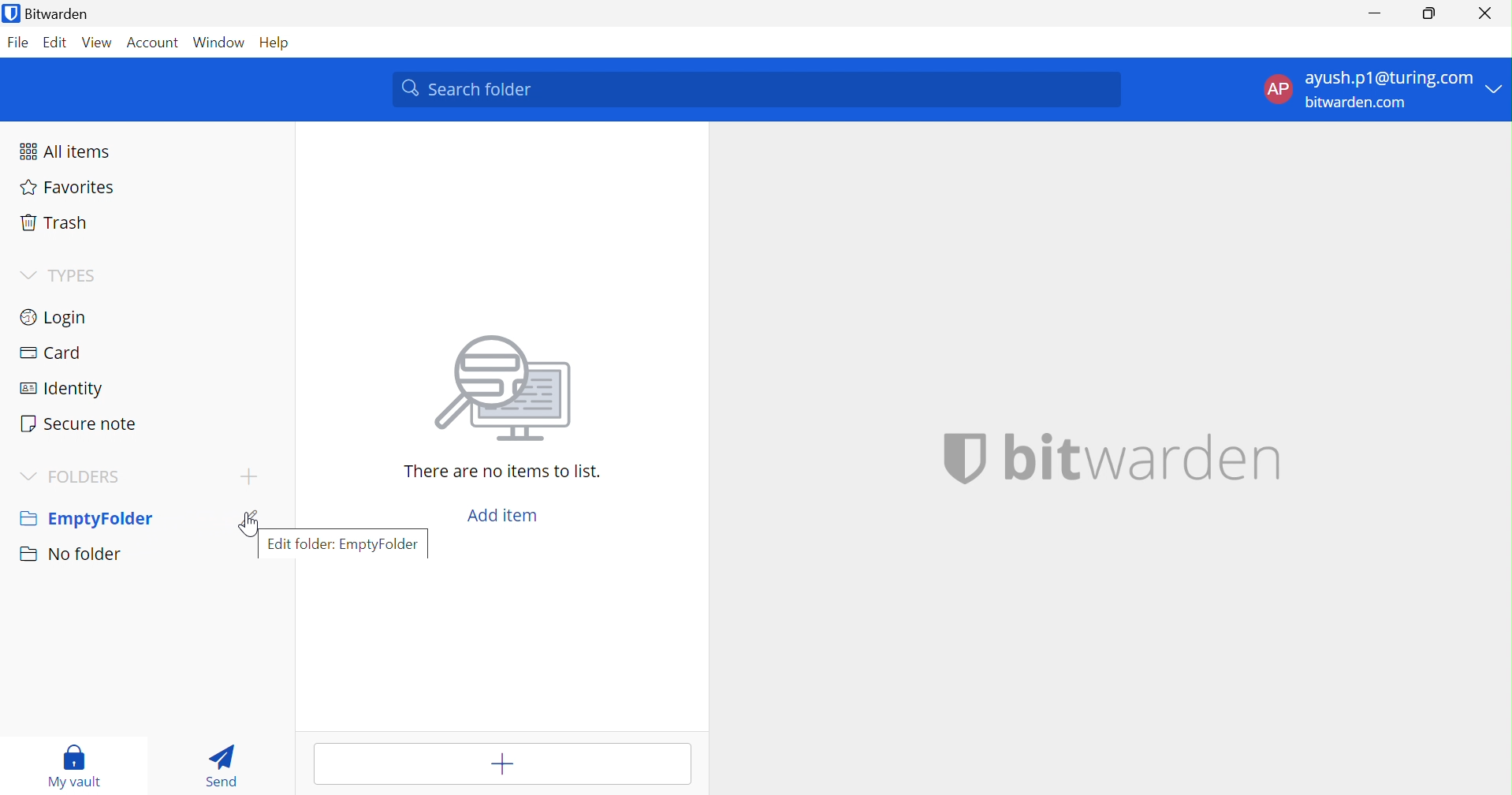  Describe the element at coordinates (283, 43) in the screenshot. I see `Help` at that location.